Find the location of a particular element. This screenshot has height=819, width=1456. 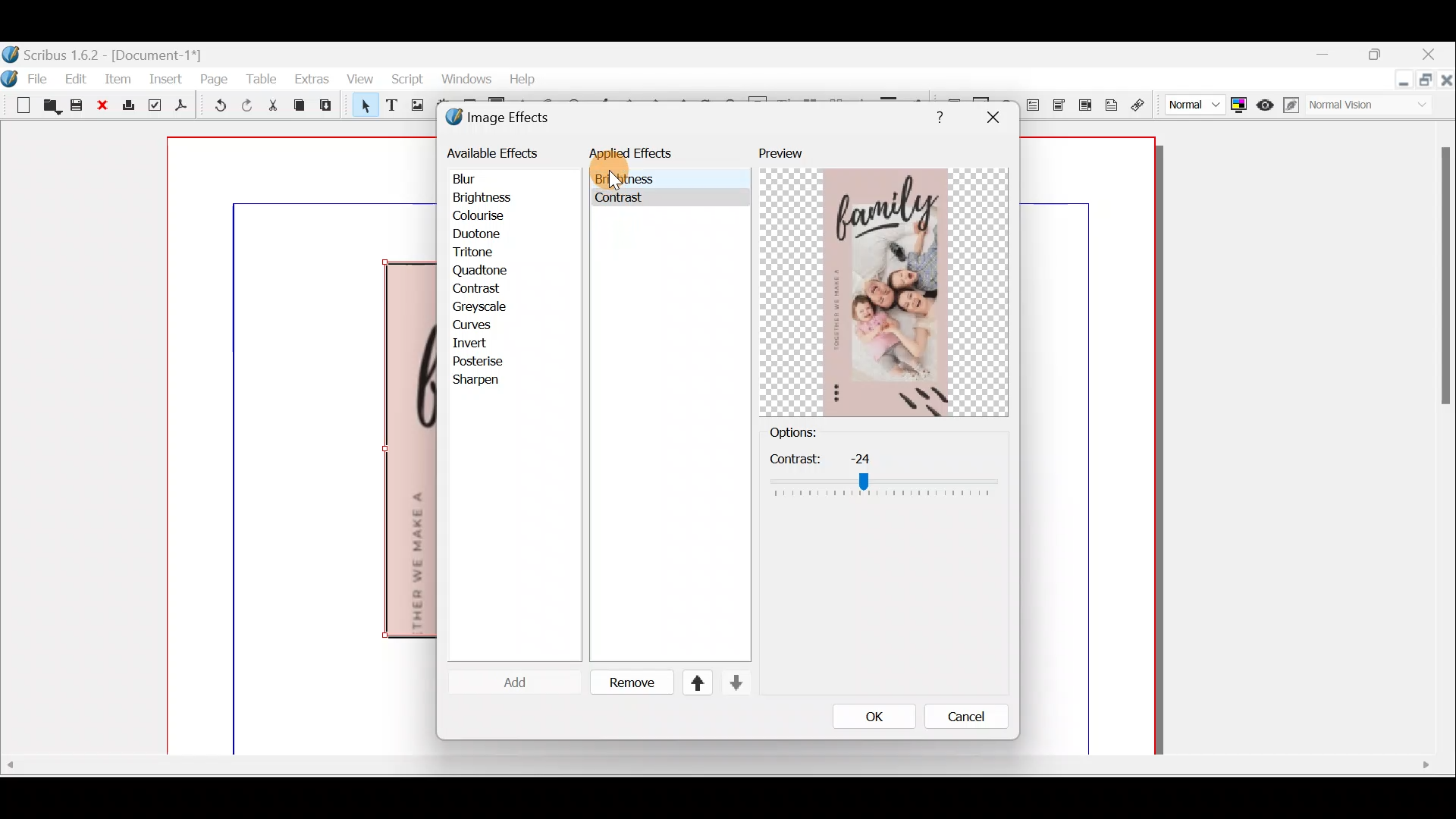

cursor is located at coordinates (611, 180).